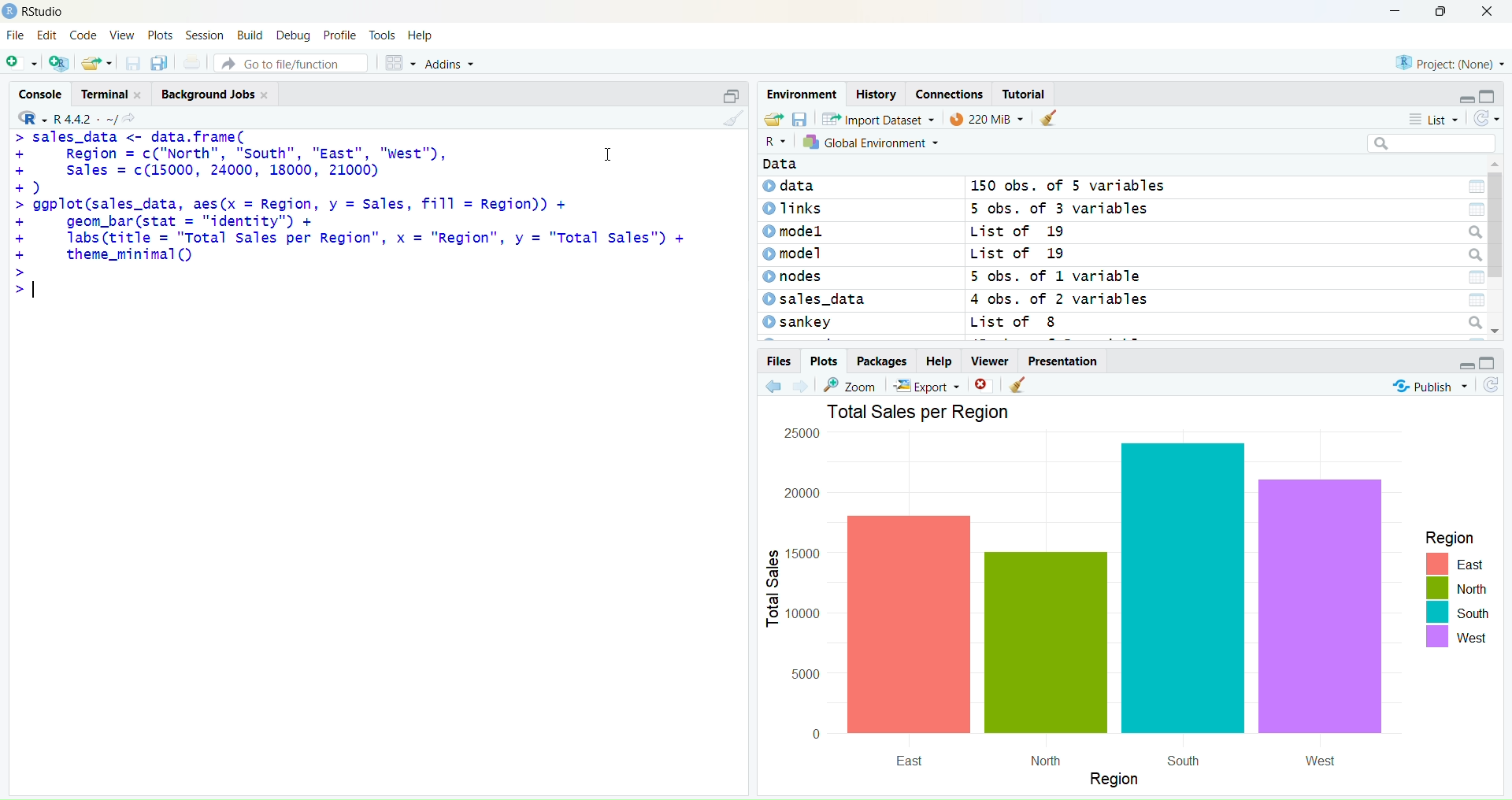 Image resolution: width=1512 pixels, height=800 pixels. I want to click on zoom, so click(858, 385).